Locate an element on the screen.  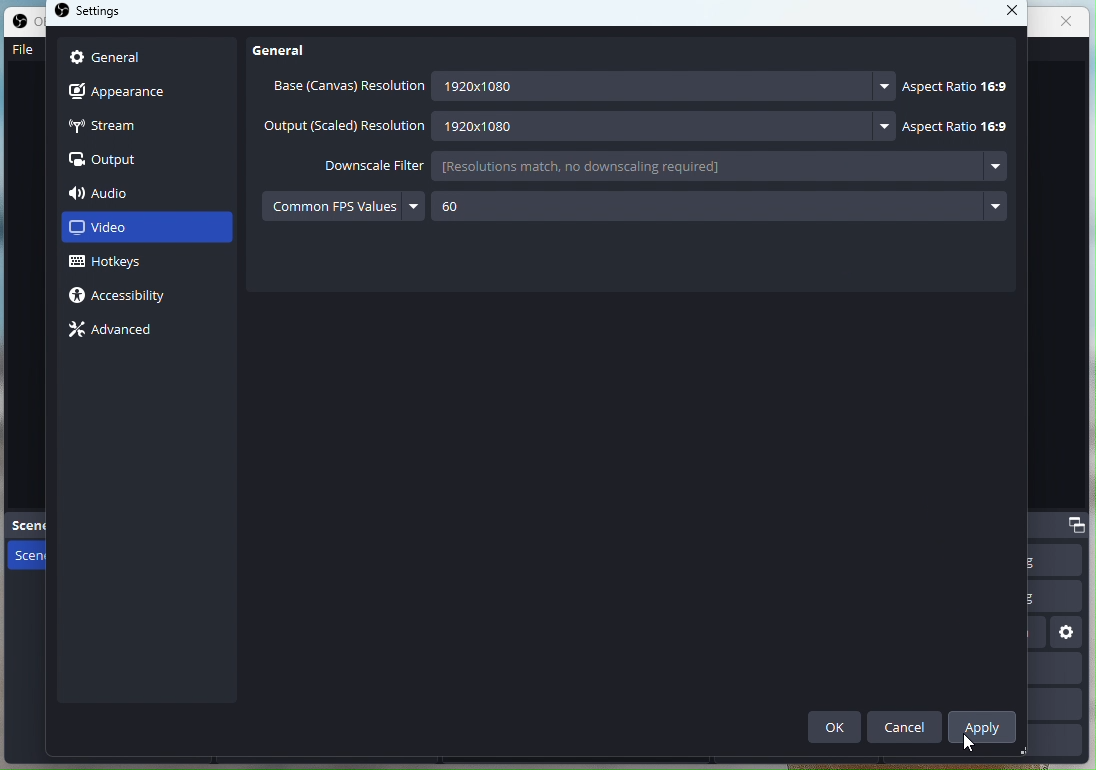
1280x1080 is located at coordinates (655, 125).